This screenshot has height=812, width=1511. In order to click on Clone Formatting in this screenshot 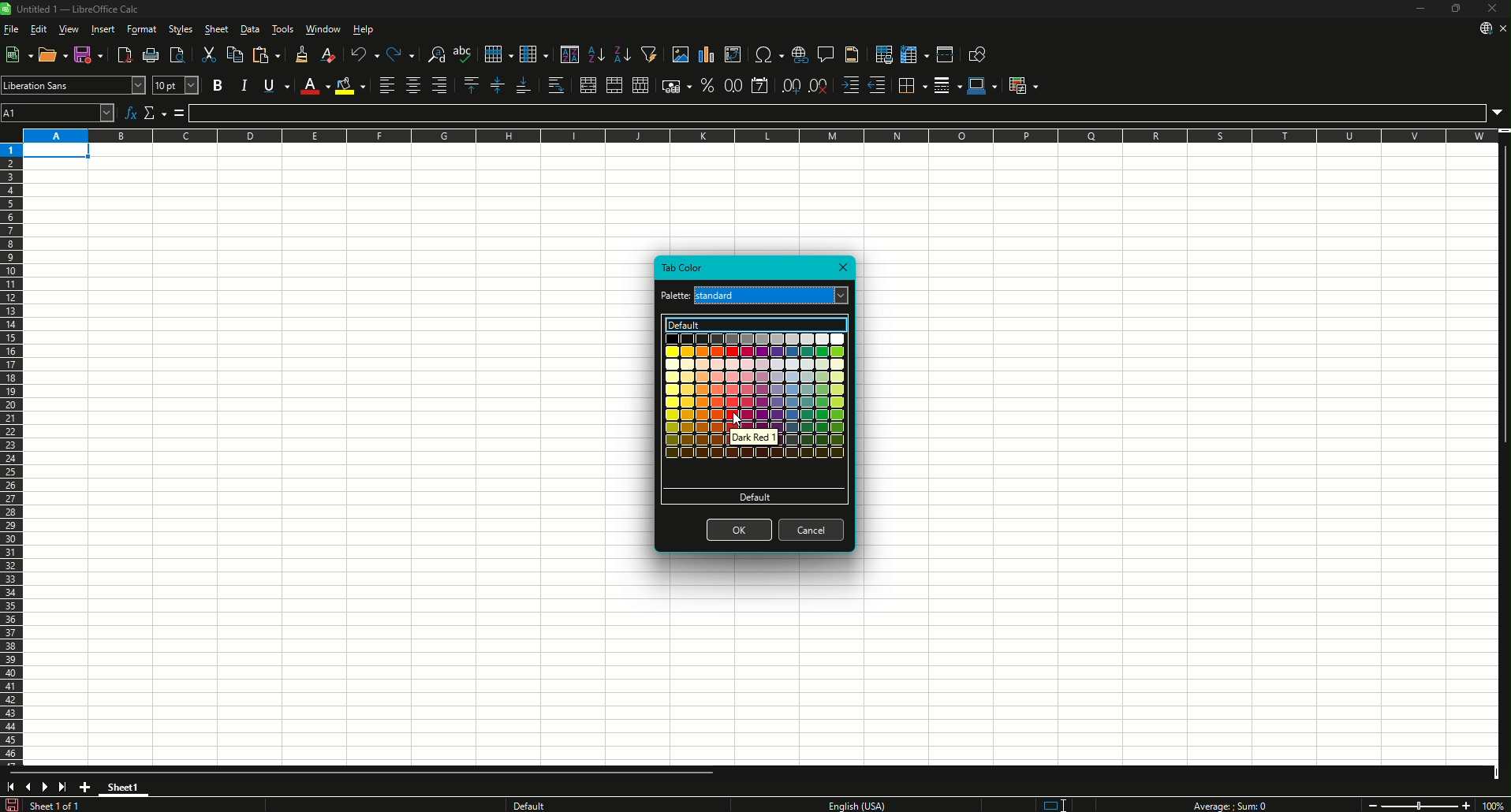, I will do `click(304, 54)`.